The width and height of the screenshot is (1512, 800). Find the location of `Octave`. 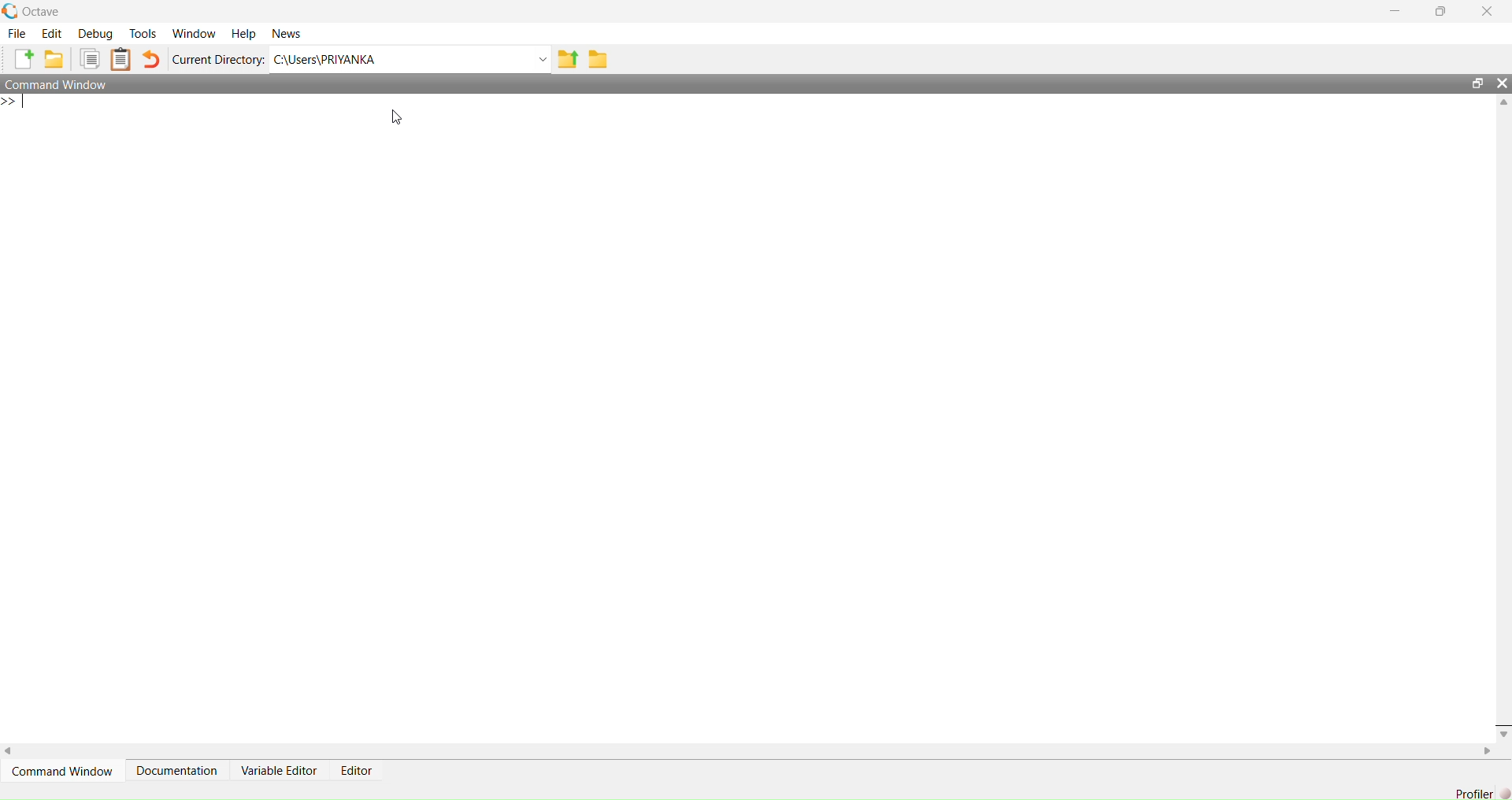

Octave is located at coordinates (38, 11).